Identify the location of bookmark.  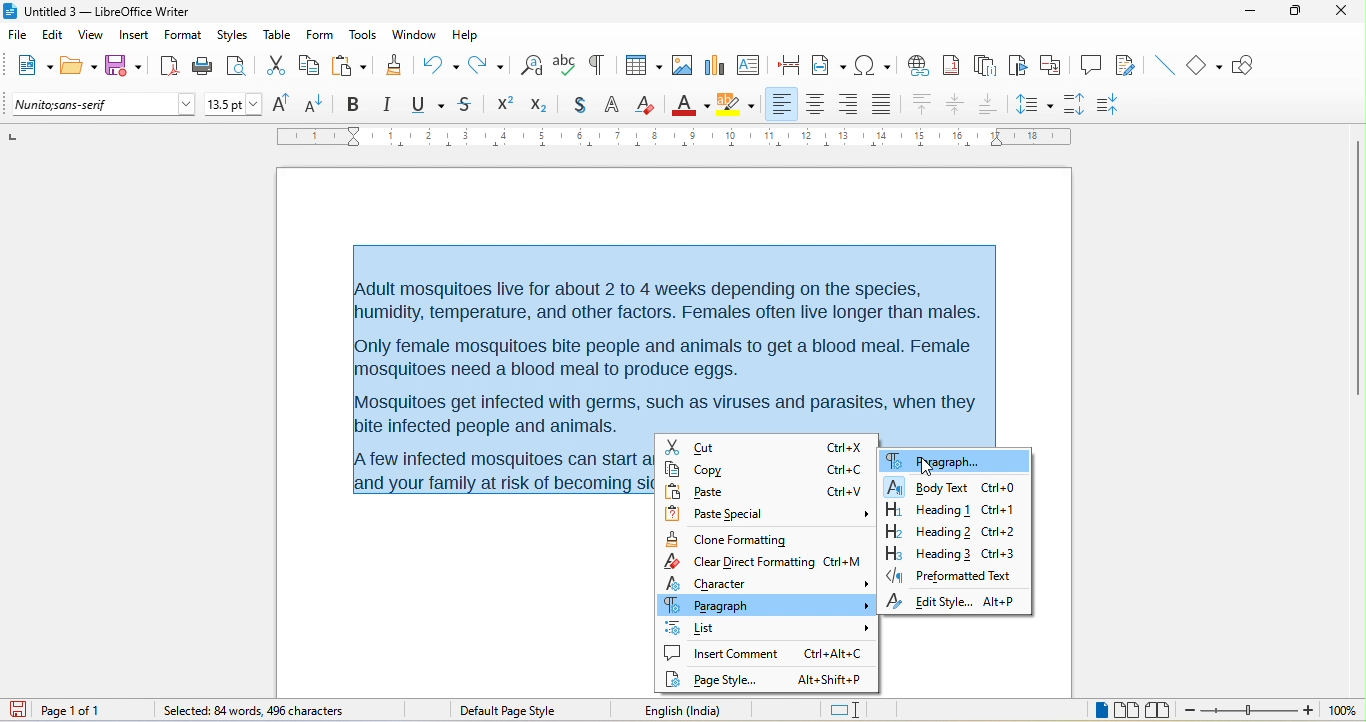
(1020, 66).